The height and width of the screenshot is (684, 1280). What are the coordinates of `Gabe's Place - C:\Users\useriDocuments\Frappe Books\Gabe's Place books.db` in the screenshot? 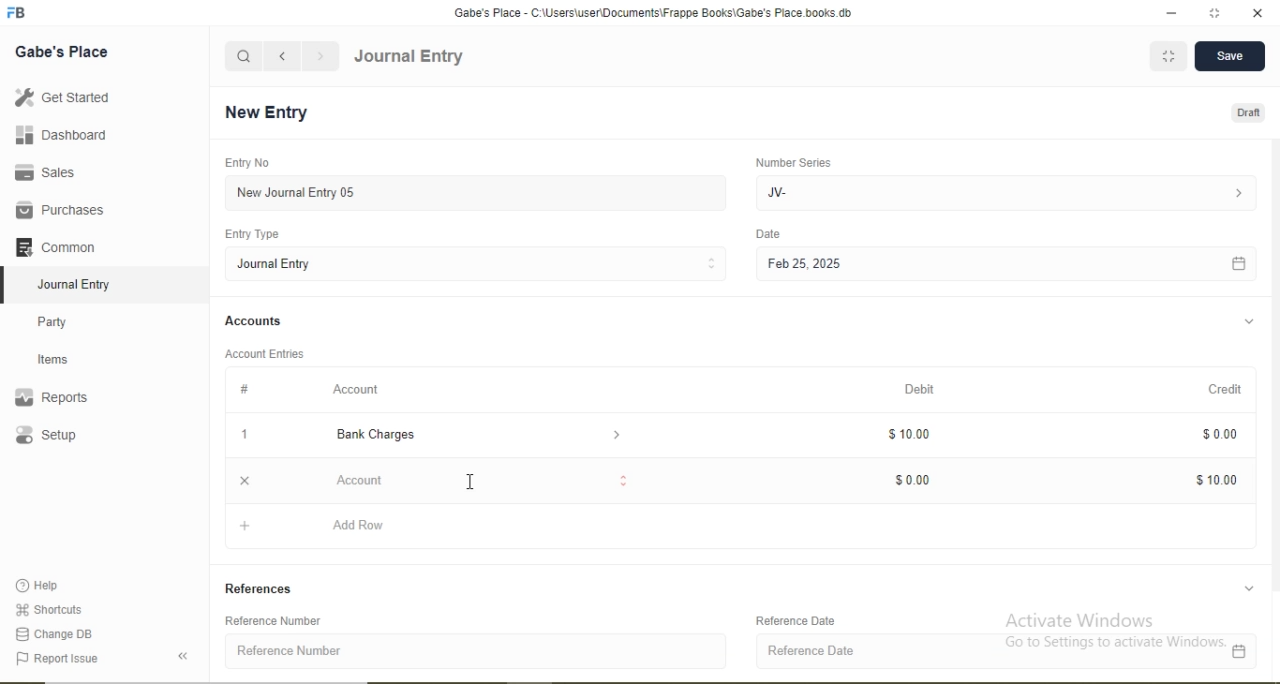 It's located at (655, 12).